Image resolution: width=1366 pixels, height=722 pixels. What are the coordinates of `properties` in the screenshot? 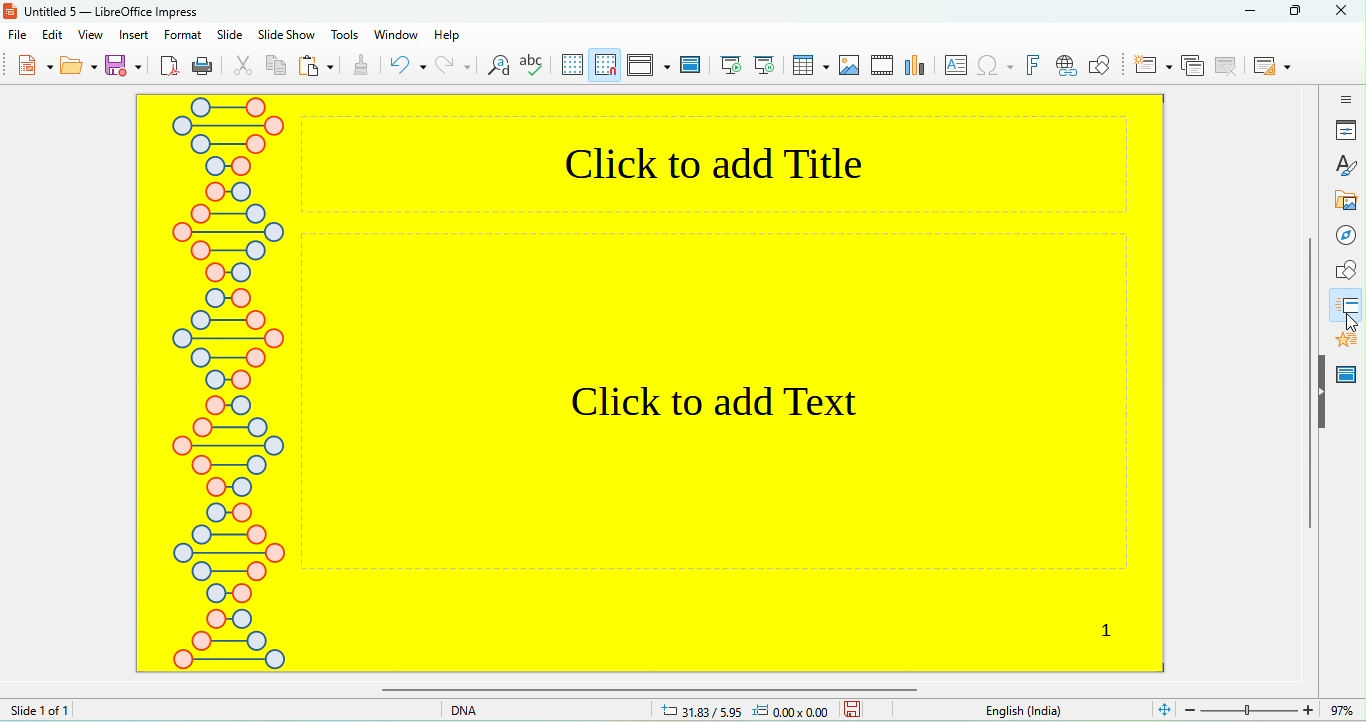 It's located at (1340, 132).